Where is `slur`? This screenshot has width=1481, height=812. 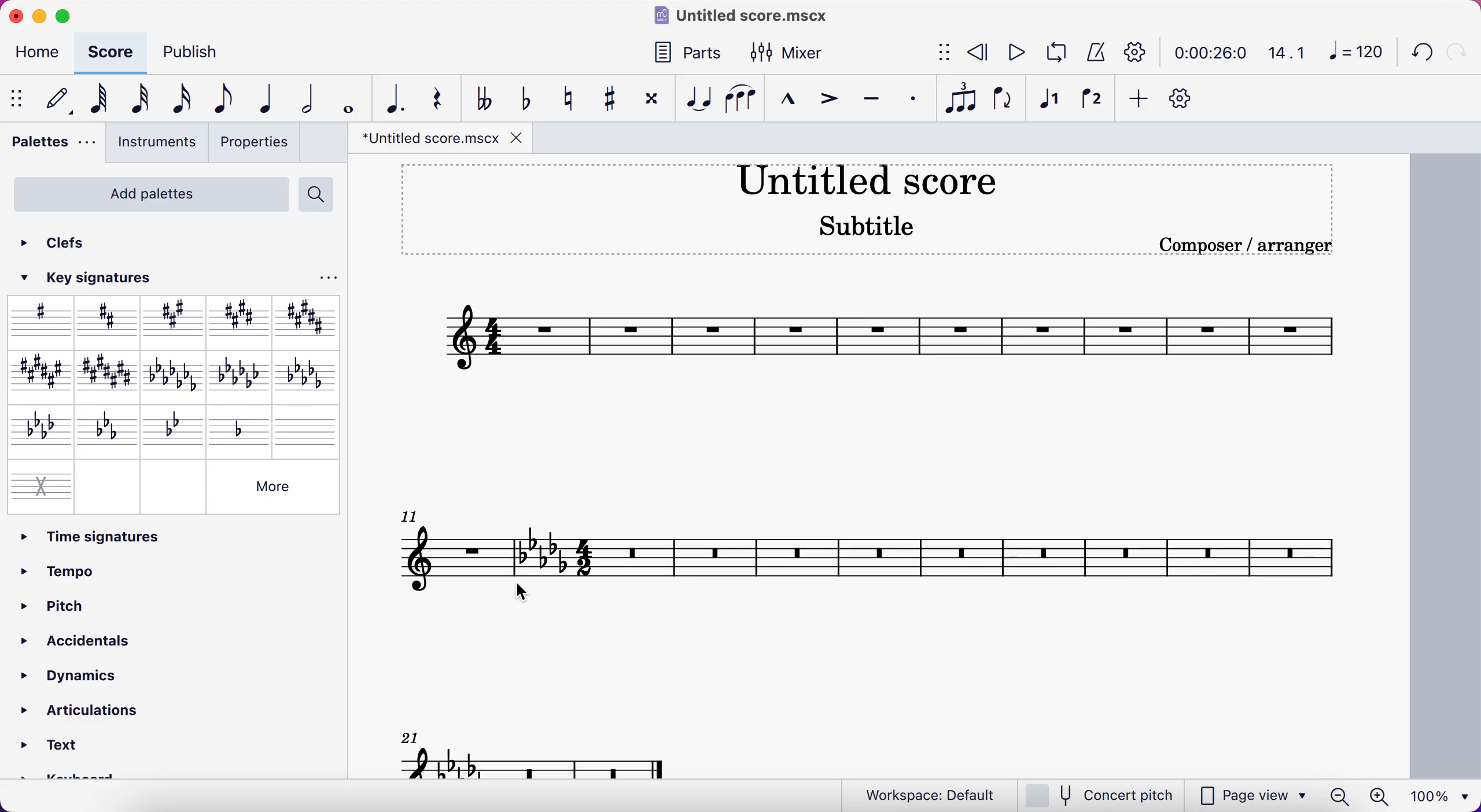 slur is located at coordinates (743, 104).